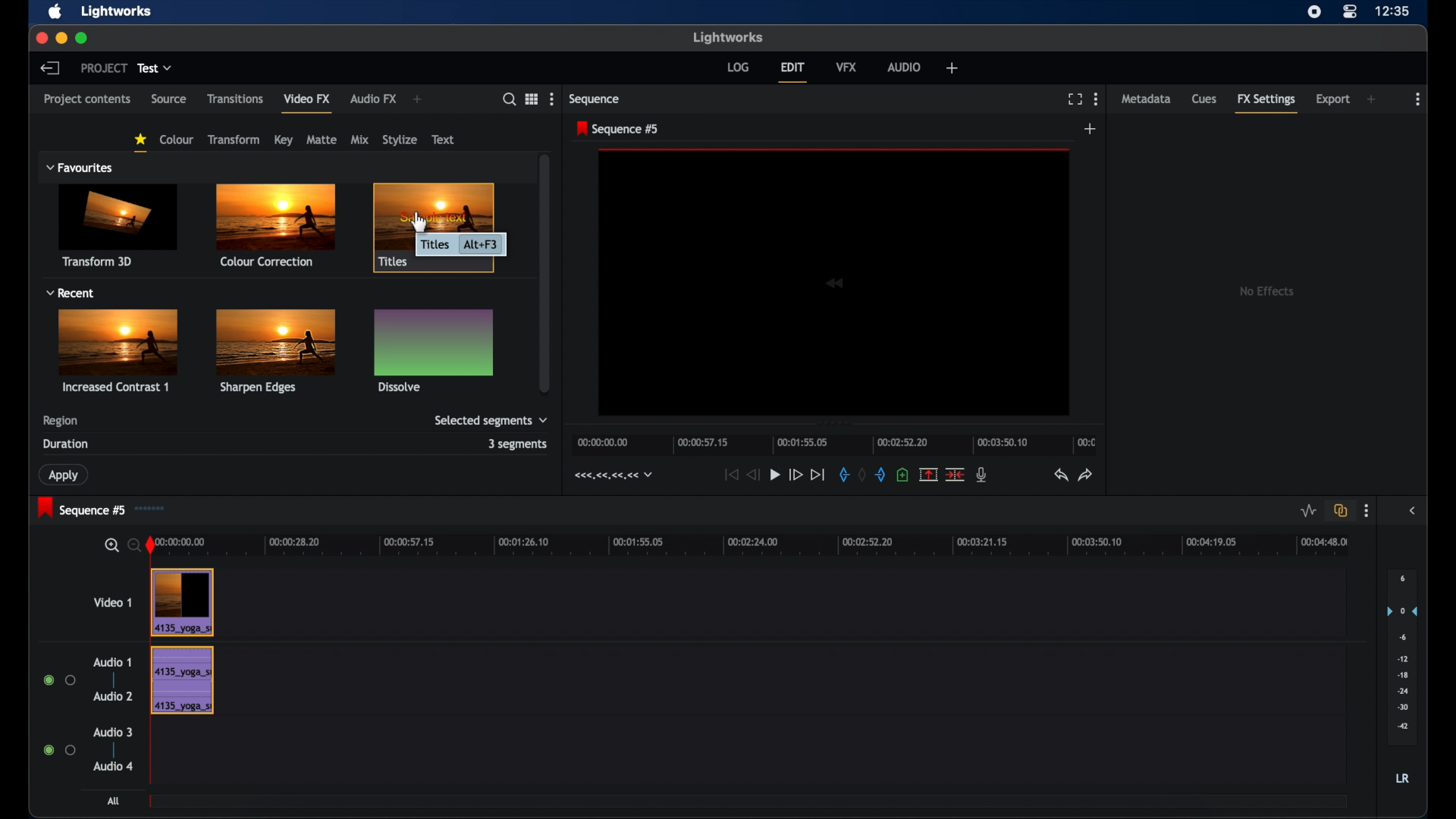 This screenshot has height=819, width=1456. I want to click on rewind, so click(755, 475).